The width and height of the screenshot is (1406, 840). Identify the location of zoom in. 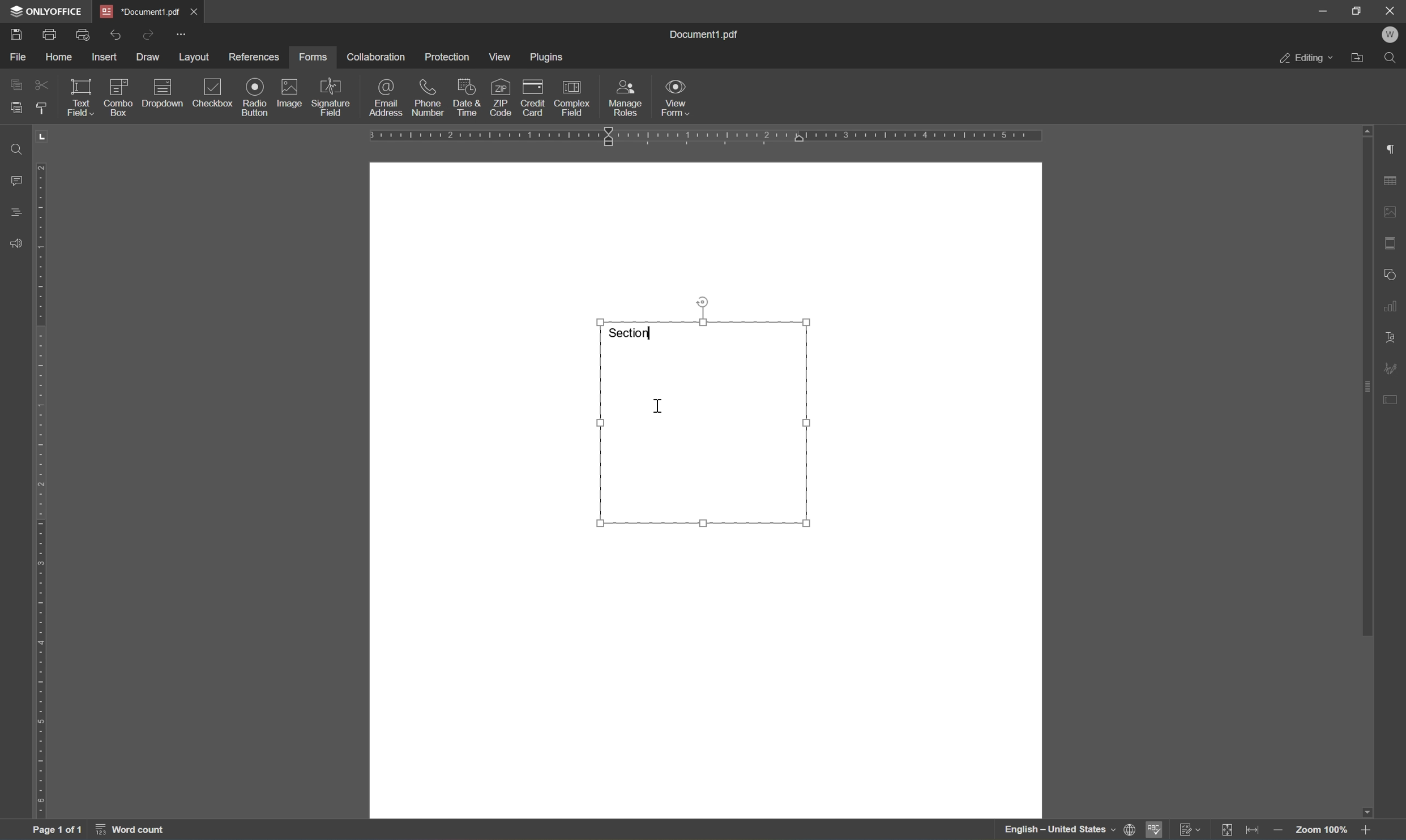
(1367, 829).